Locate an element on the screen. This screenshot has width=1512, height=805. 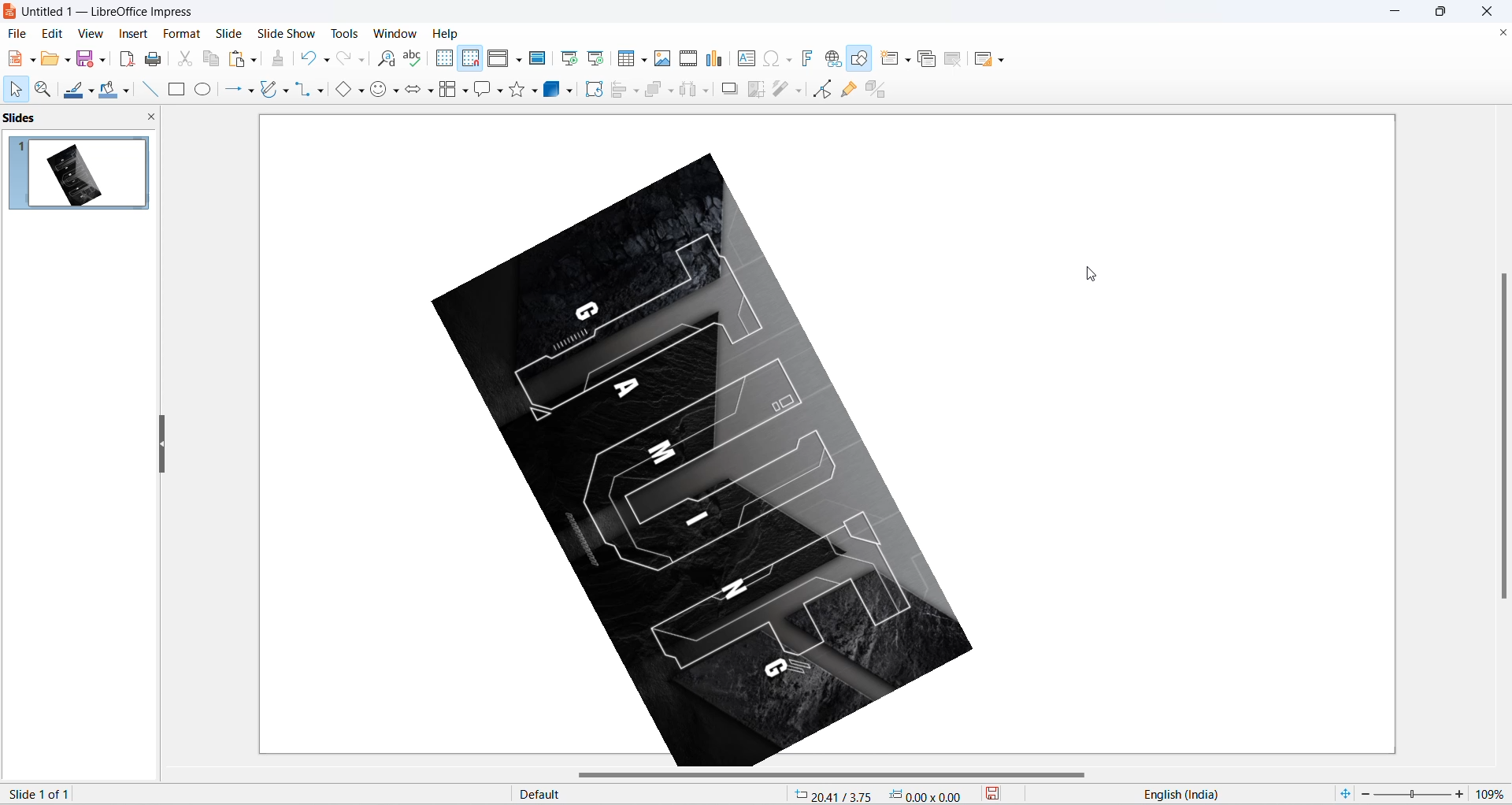
save is located at coordinates (1003, 796).